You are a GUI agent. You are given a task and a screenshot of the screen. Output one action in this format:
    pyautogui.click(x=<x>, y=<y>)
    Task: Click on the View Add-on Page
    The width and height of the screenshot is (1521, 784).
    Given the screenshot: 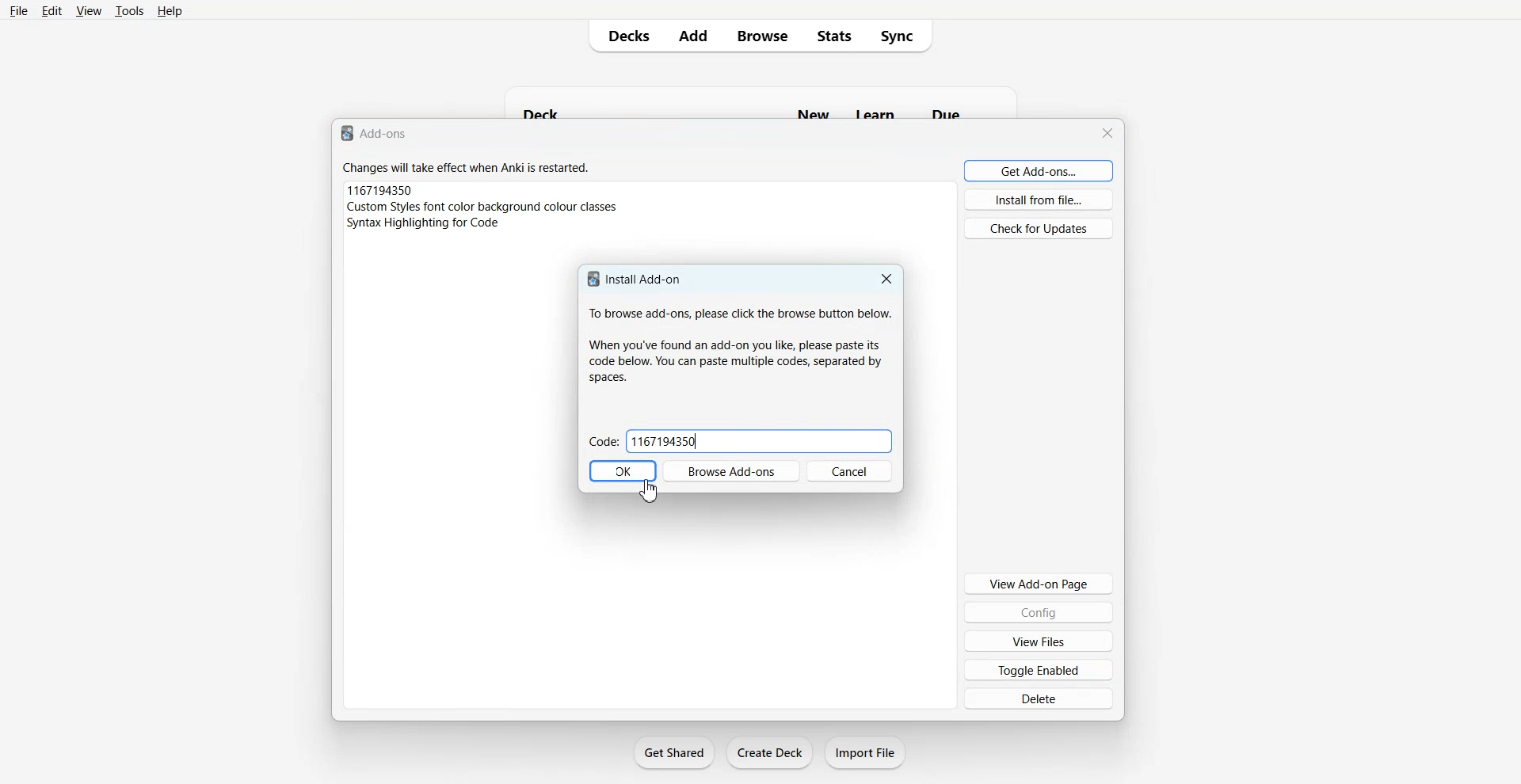 What is the action you would take?
    pyautogui.click(x=1039, y=583)
    